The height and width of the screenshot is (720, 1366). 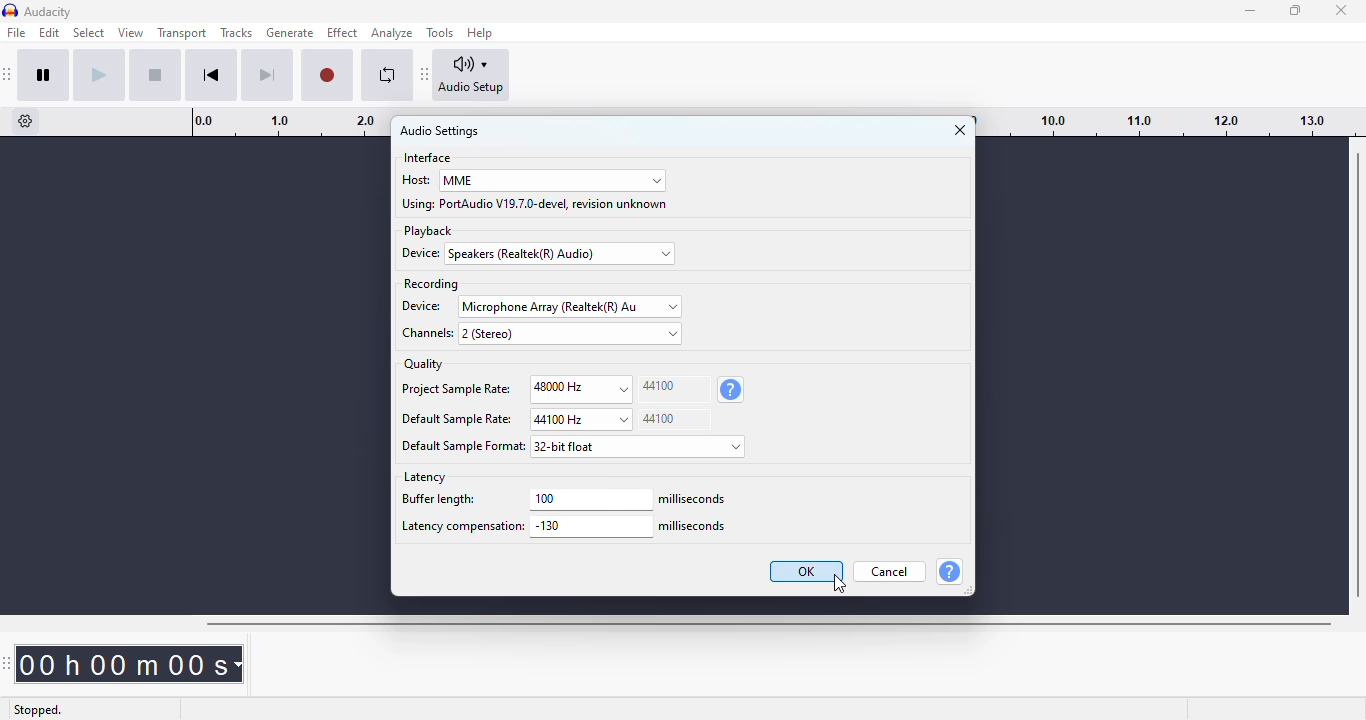 What do you see at coordinates (134, 663) in the screenshot?
I see `time` at bounding box center [134, 663].